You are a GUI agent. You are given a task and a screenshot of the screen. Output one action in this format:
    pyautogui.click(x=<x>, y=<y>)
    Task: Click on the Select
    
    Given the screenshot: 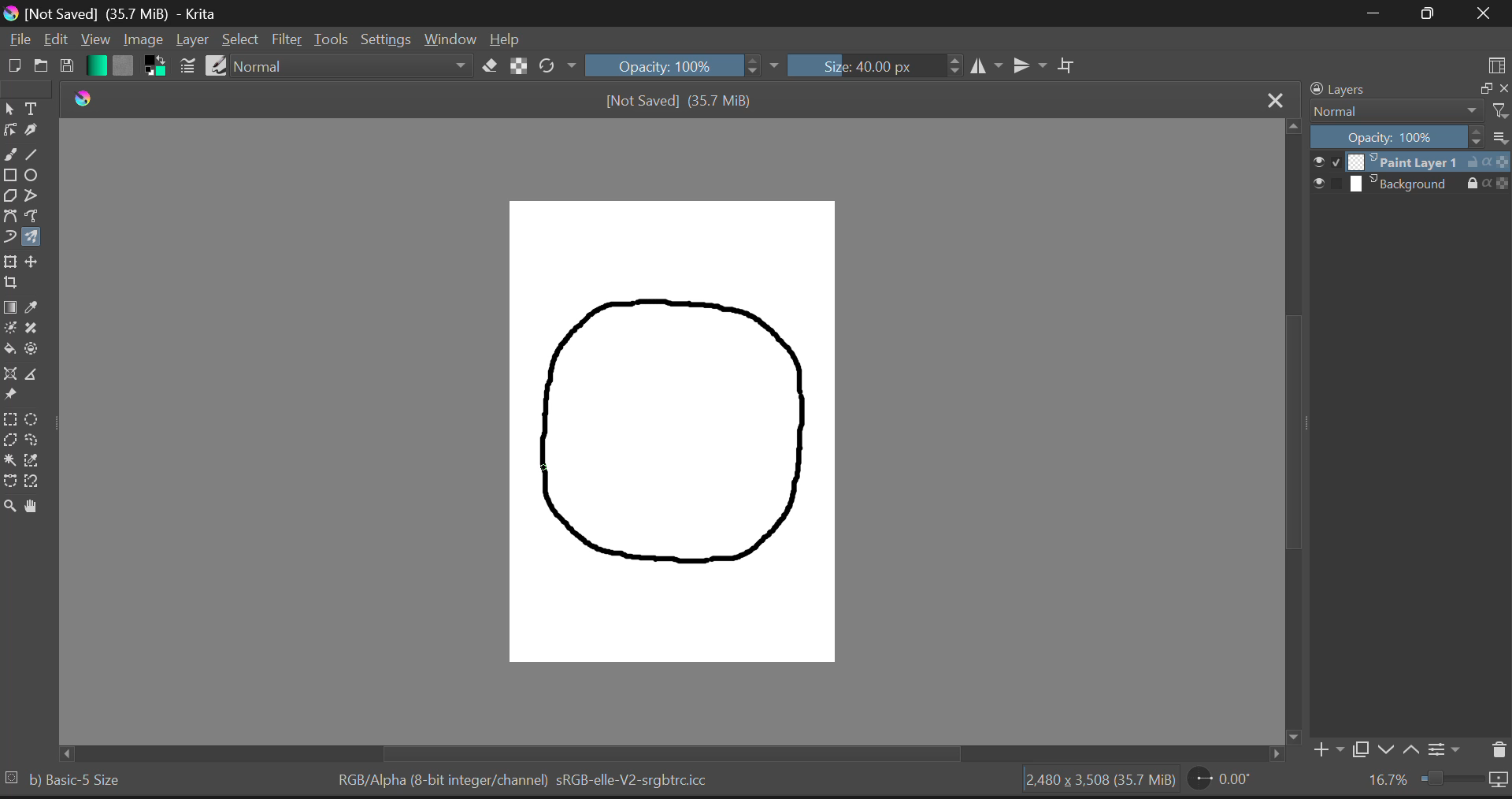 What is the action you would take?
    pyautogui.click(x=240, y=40)
    